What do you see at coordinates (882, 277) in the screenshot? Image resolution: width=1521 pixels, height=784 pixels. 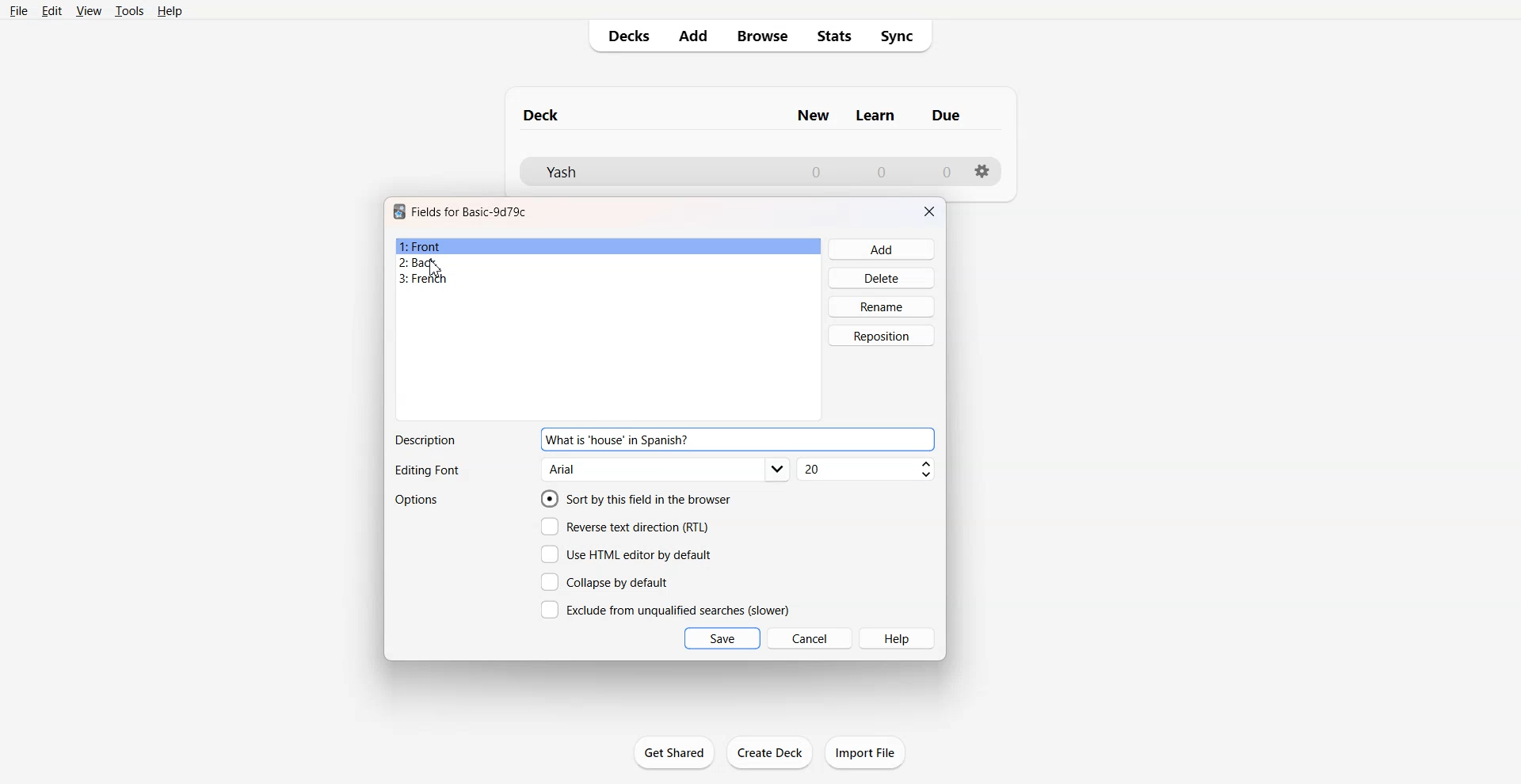 I see `Delete` at bounding box center [882, 277].